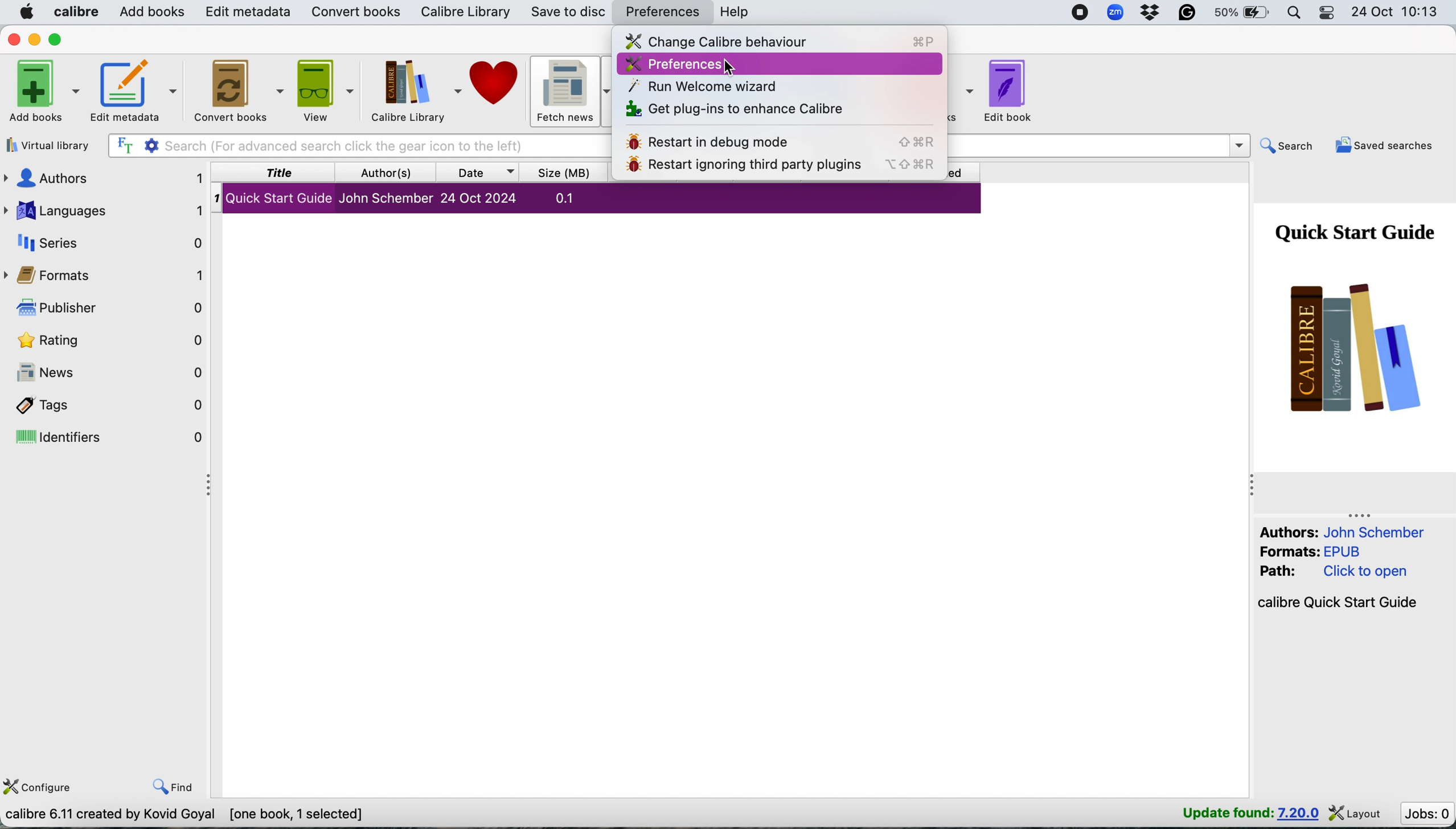 The image size is (1456, 829). What do you see at coordinates (392, 173) in the screenshot?
I see `author` at bounding box center [392, 173].